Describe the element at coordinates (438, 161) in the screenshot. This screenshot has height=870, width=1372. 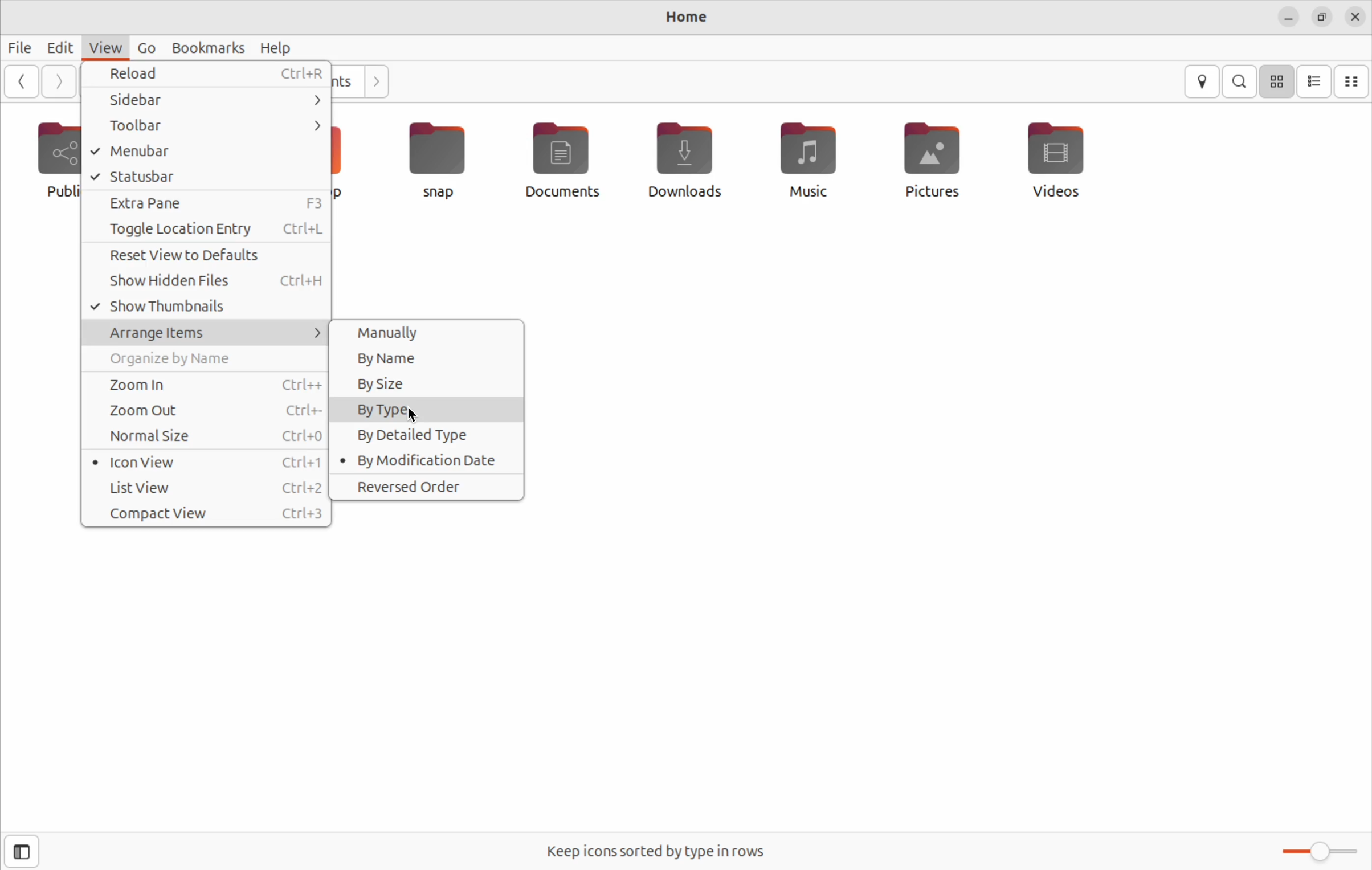
I see `snap file` at that location.